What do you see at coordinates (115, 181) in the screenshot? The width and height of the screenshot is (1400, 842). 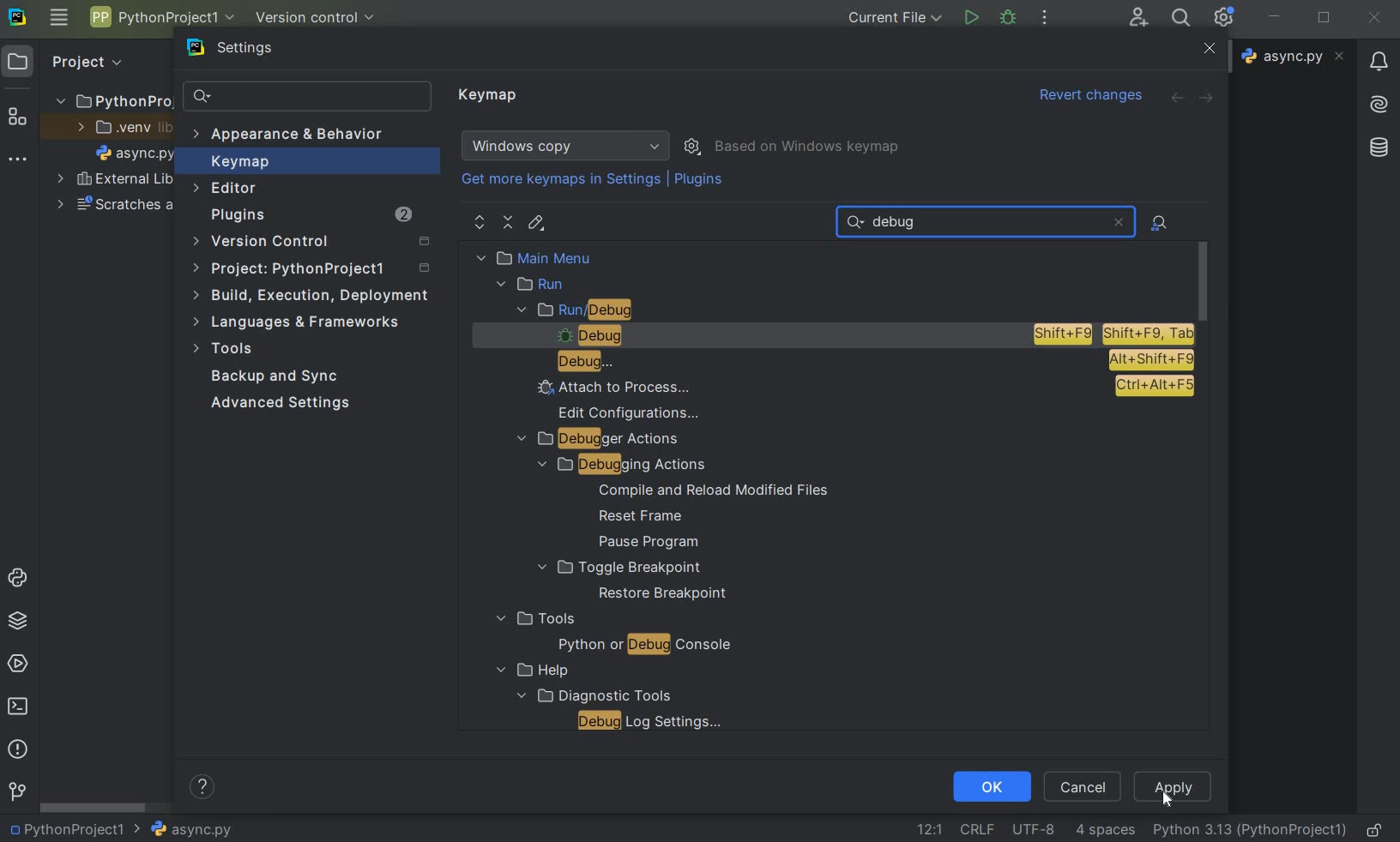 I see `external libraries` at bounding box center [115, 181].